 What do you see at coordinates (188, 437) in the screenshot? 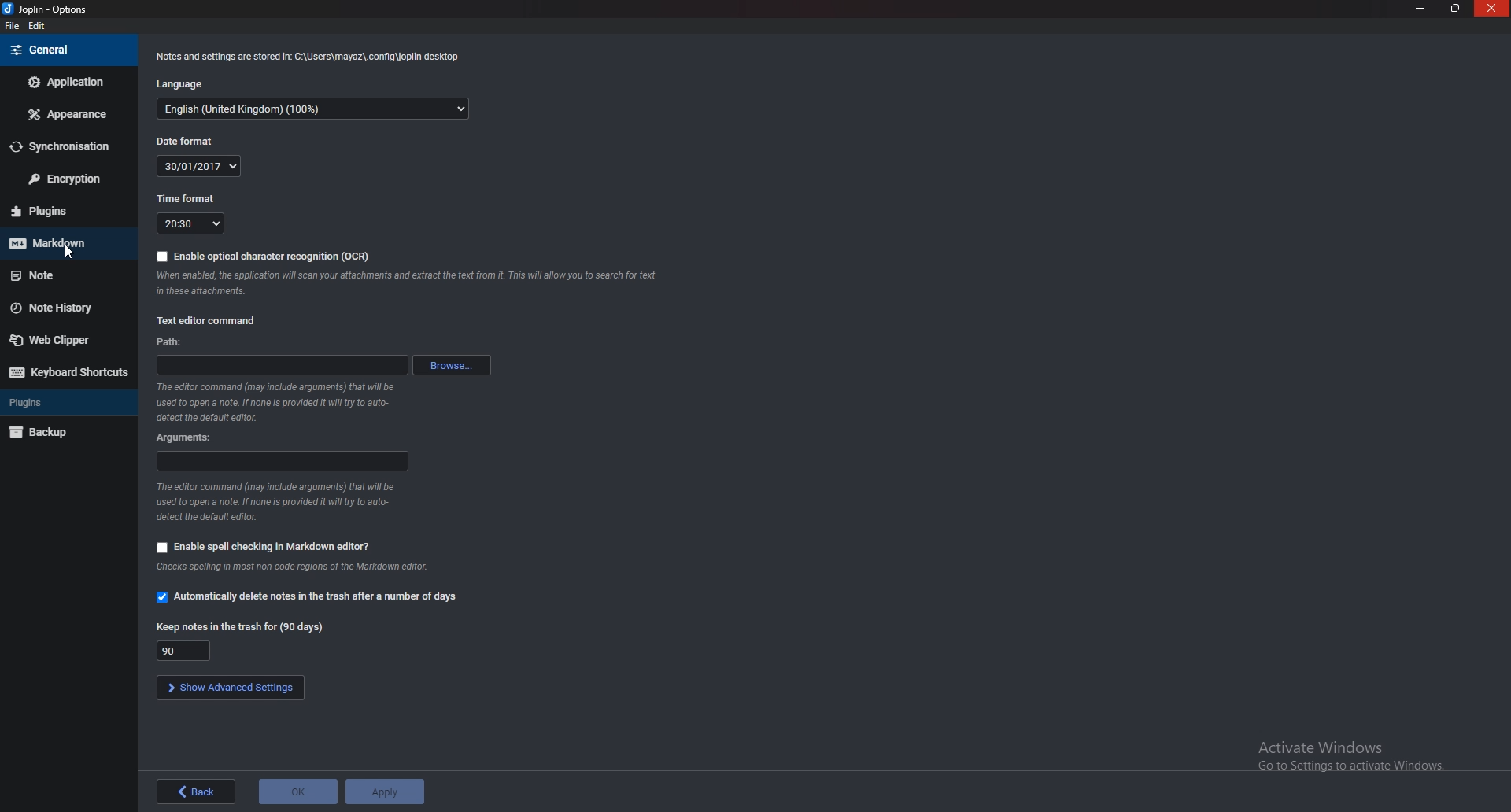
I see `Arguments` at bounding box center [188, 437].